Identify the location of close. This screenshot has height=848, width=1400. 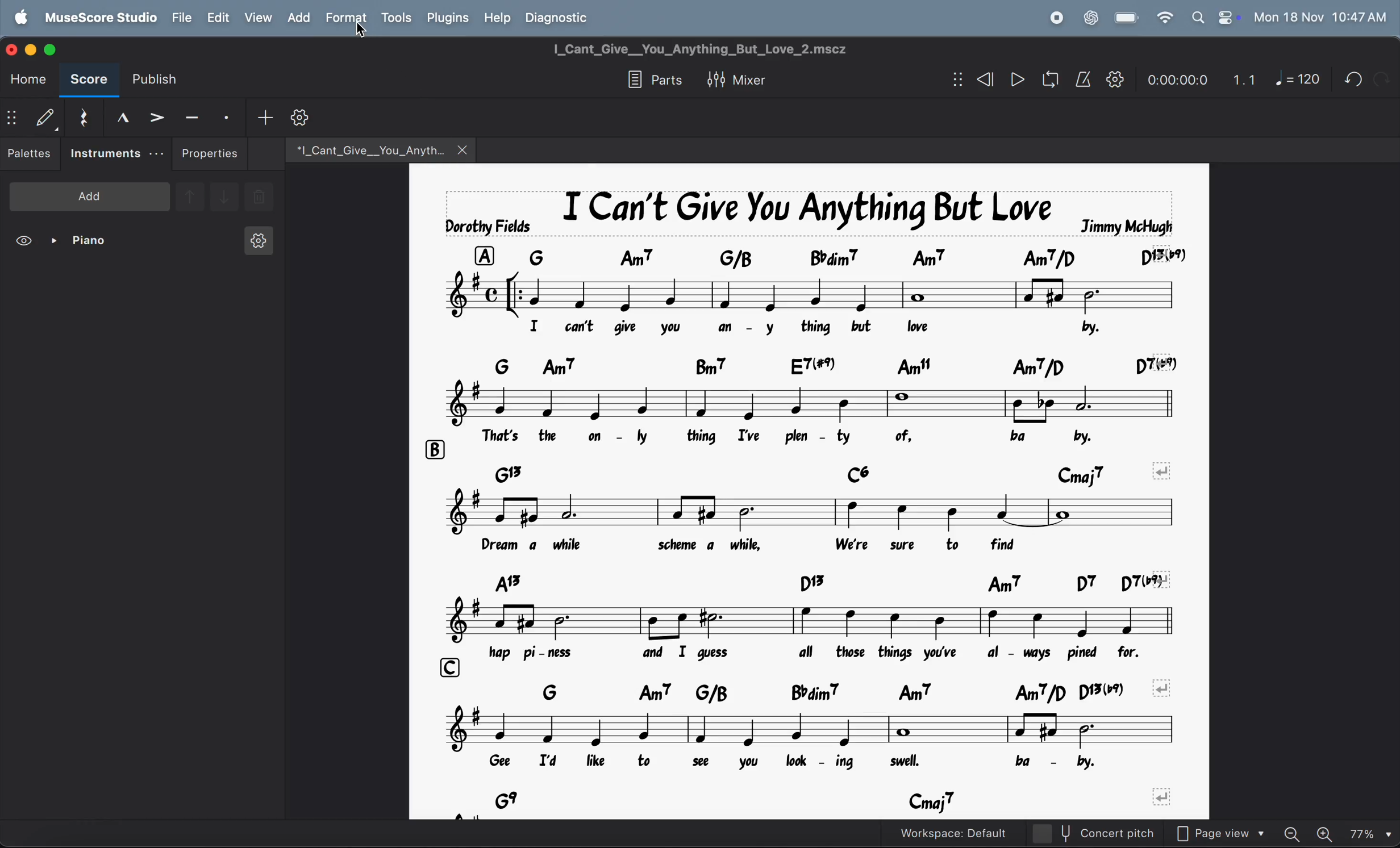
(464, 149).